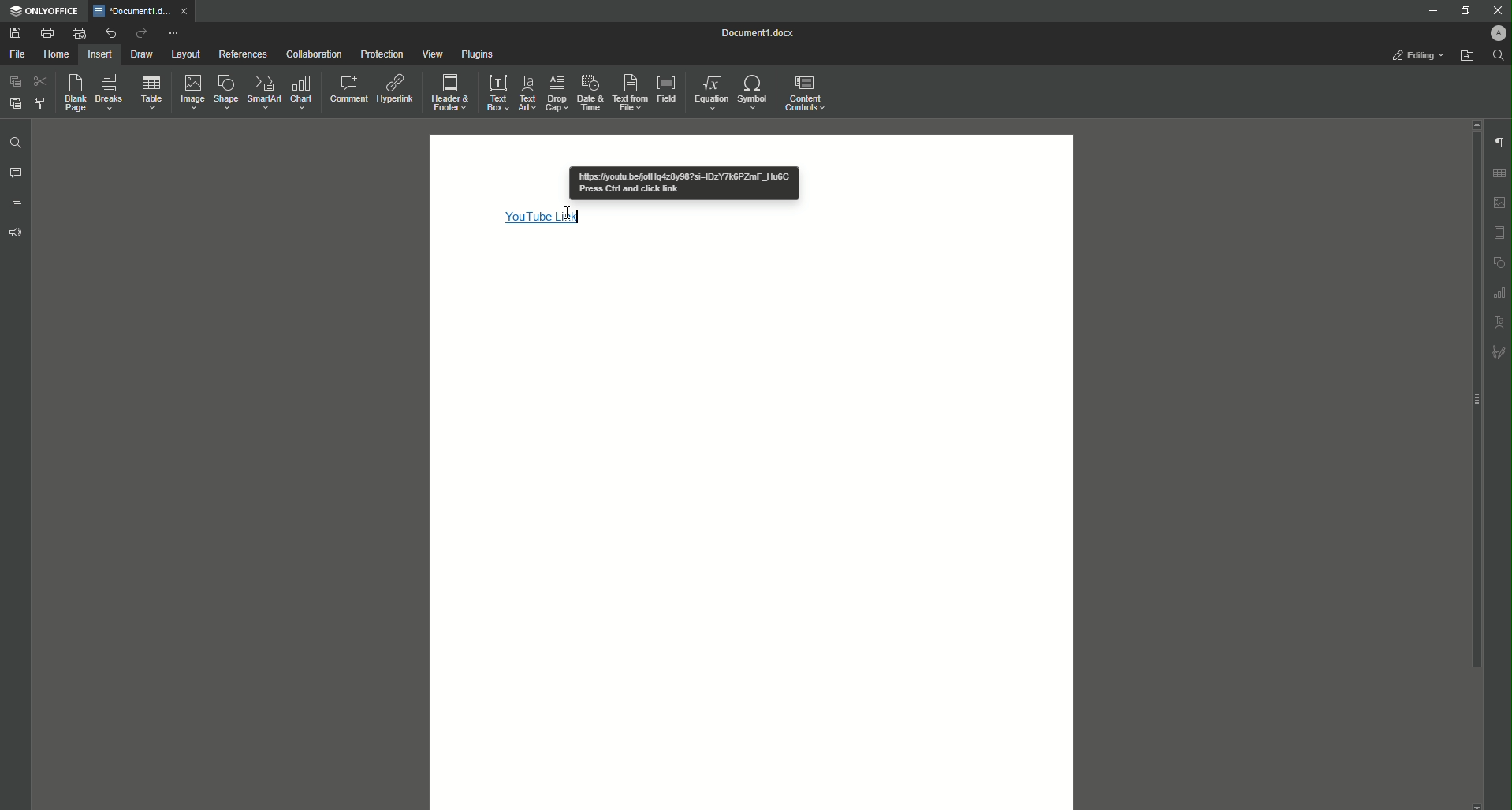  Describe the element at coordinates (1427, 10) in the screenshot. I see `Minimize` at that location.